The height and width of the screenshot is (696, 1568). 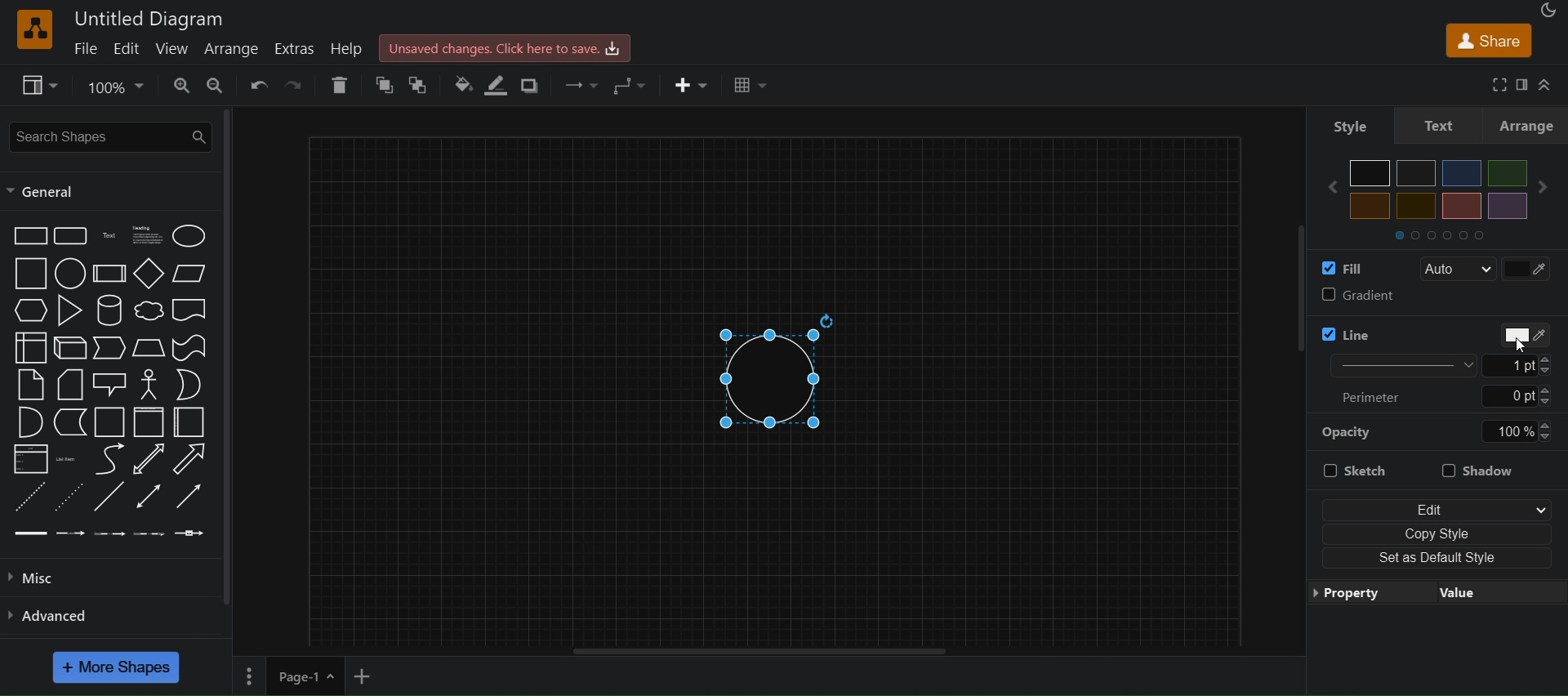 What do you see at coordinates (508, 47) in the screenshot?
I see `click here to save` at bounding box center [508, 47].